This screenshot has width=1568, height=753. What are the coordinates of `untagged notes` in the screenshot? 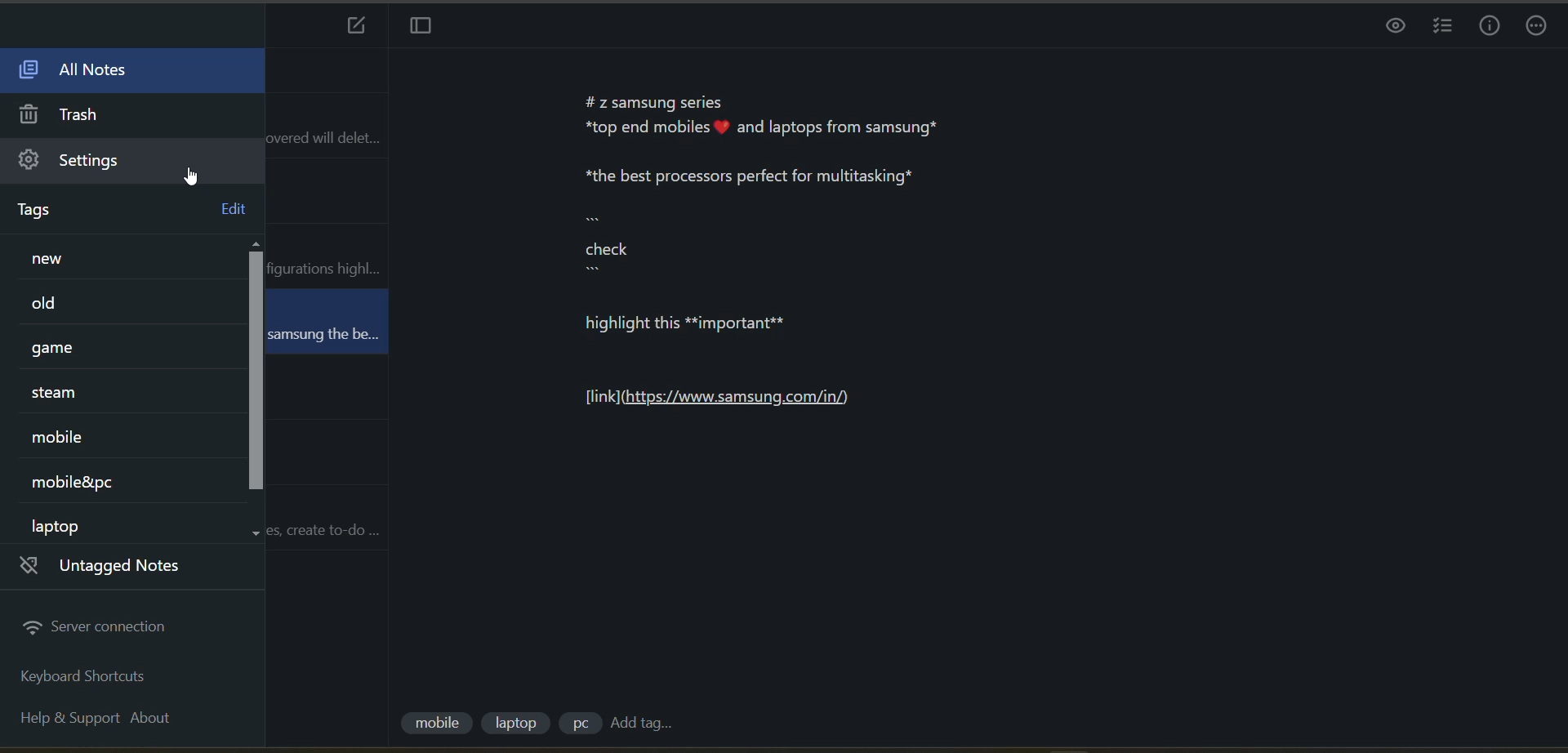 It's located at (115, 569).